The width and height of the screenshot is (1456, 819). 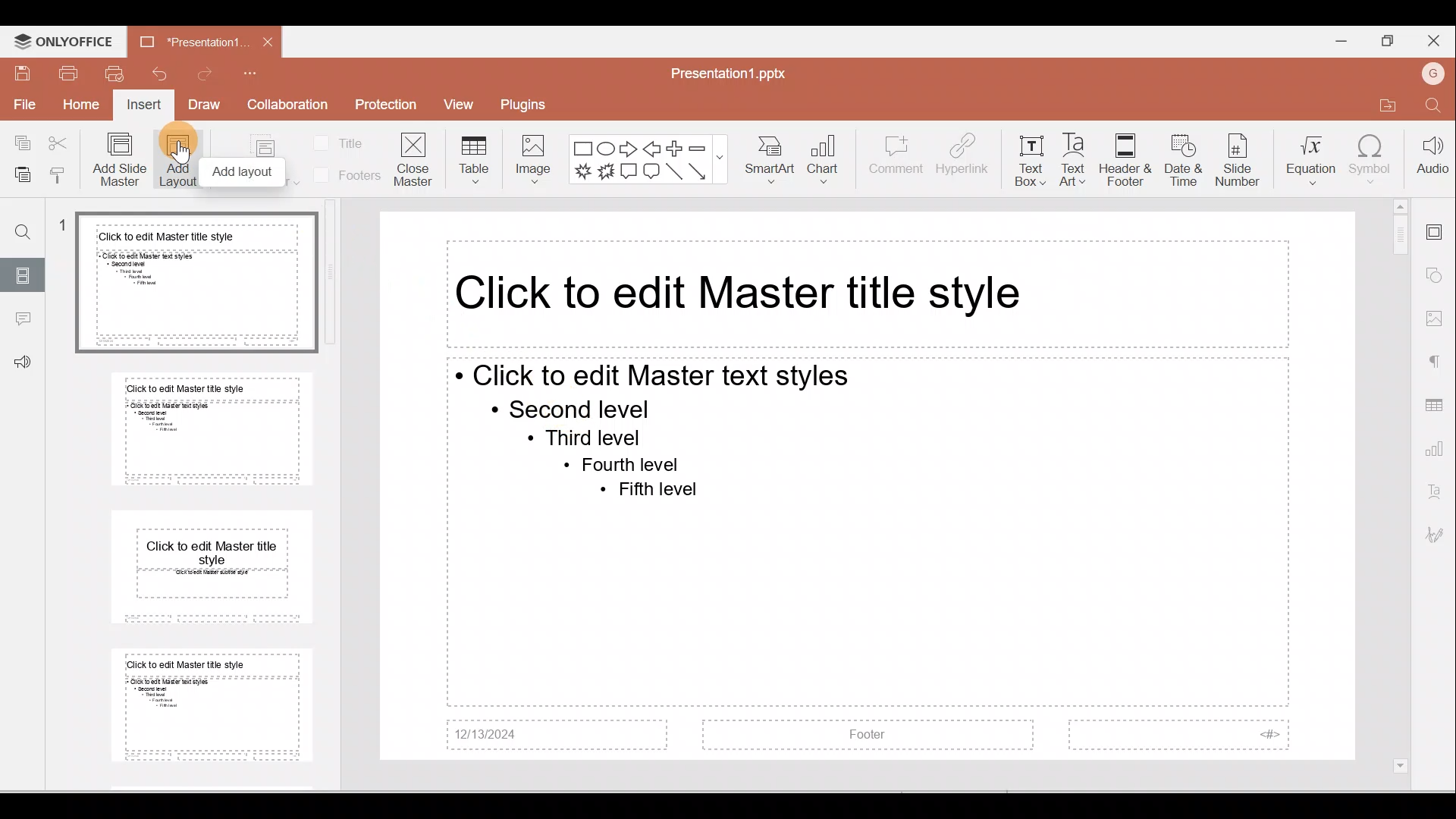 I want to click on Image, so click(x=532, y=158).